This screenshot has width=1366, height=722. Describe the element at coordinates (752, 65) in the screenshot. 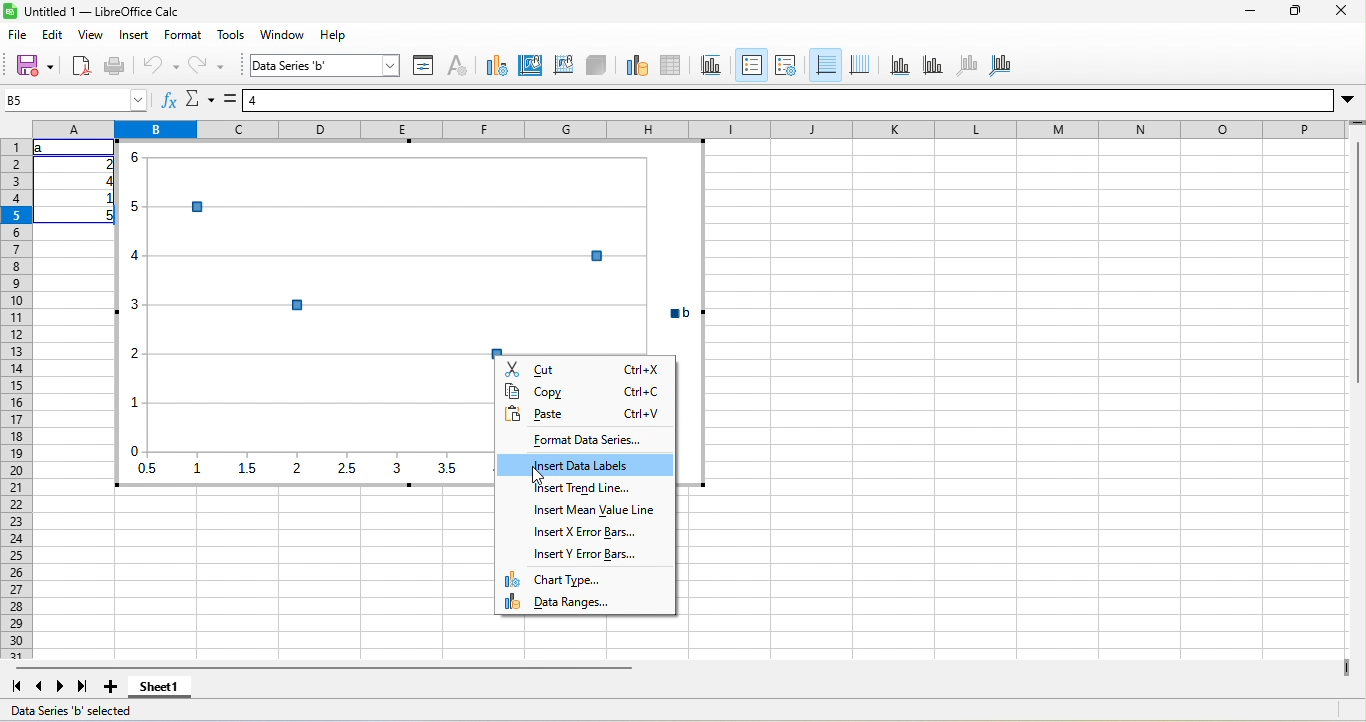

I see `legend on/off` at that location.